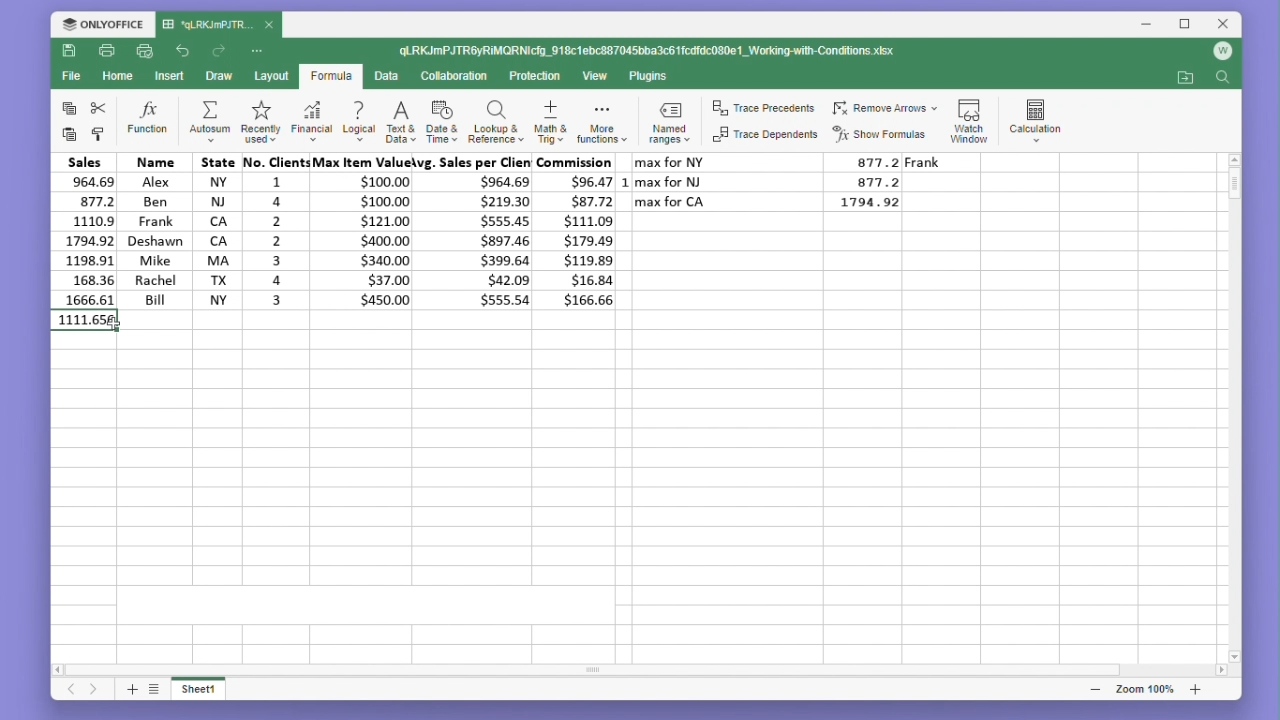 The image size is (1280, 720). I want to click on Maths and trigonometry, so click(551, 119).